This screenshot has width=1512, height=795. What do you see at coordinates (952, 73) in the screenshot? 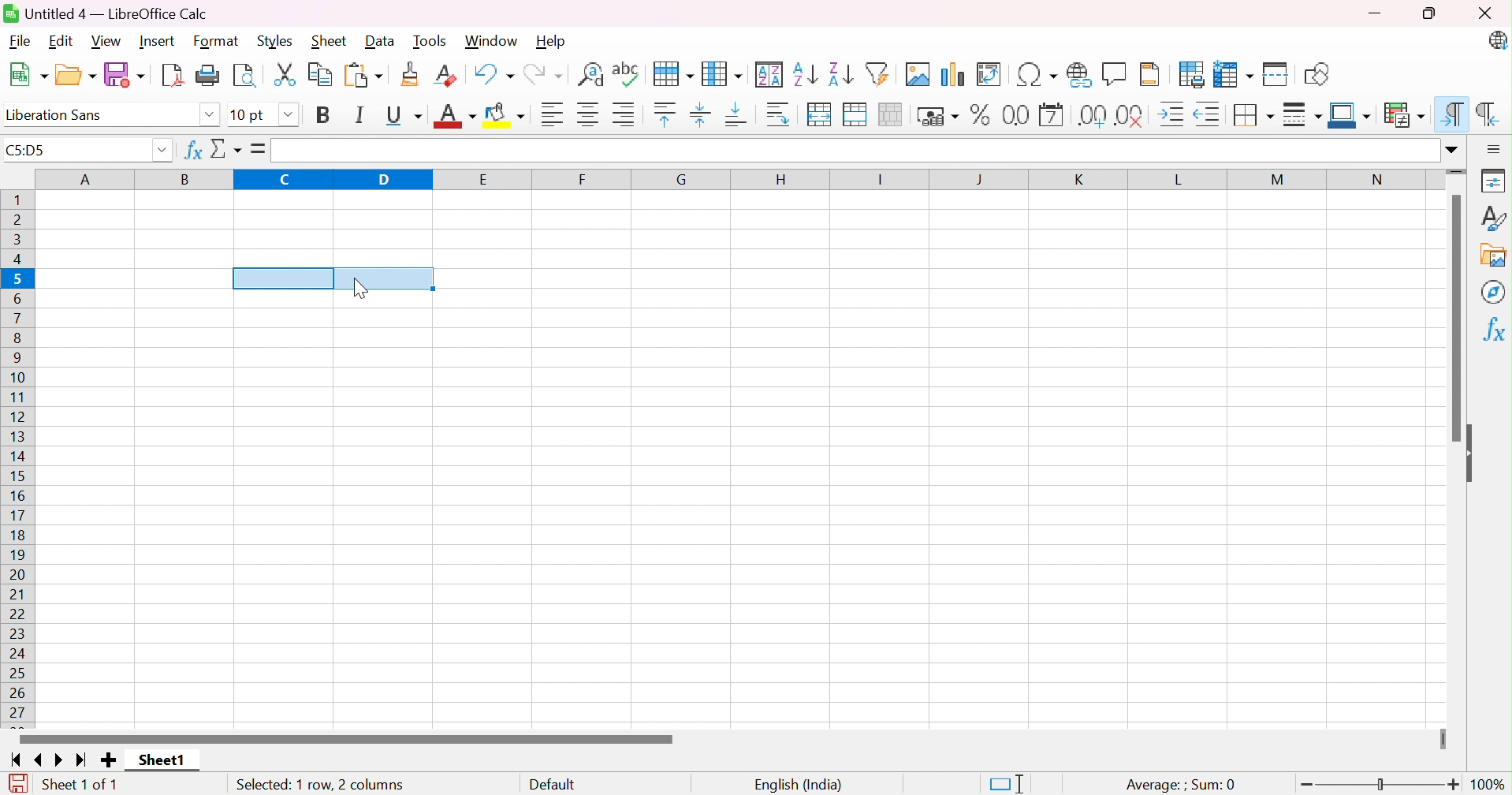
I see `Insert Chart` at bounding box center [952, 73].